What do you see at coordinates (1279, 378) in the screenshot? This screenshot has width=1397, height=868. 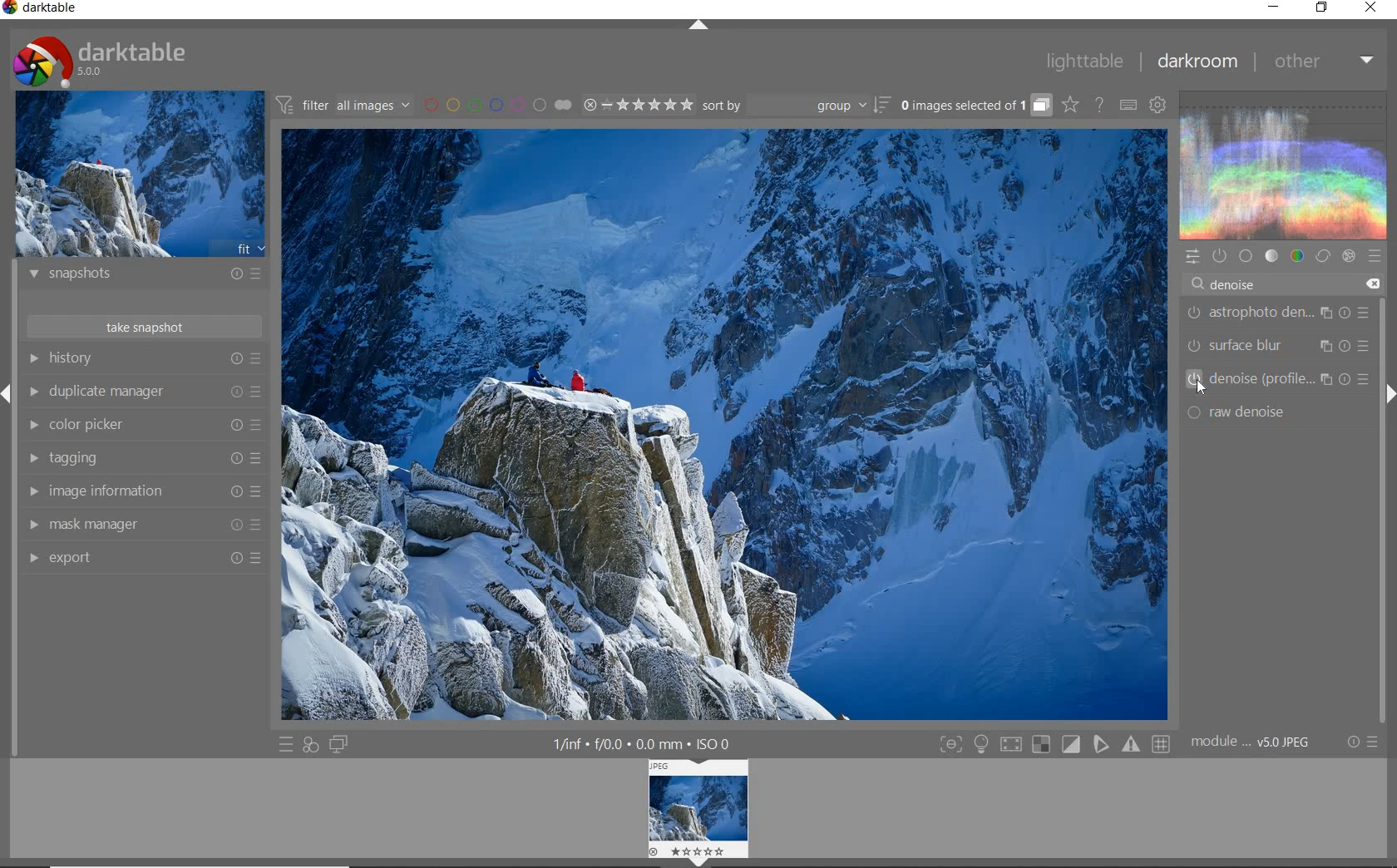 I see `denoise (PROFILE...` at bounding box center [1279, 378].